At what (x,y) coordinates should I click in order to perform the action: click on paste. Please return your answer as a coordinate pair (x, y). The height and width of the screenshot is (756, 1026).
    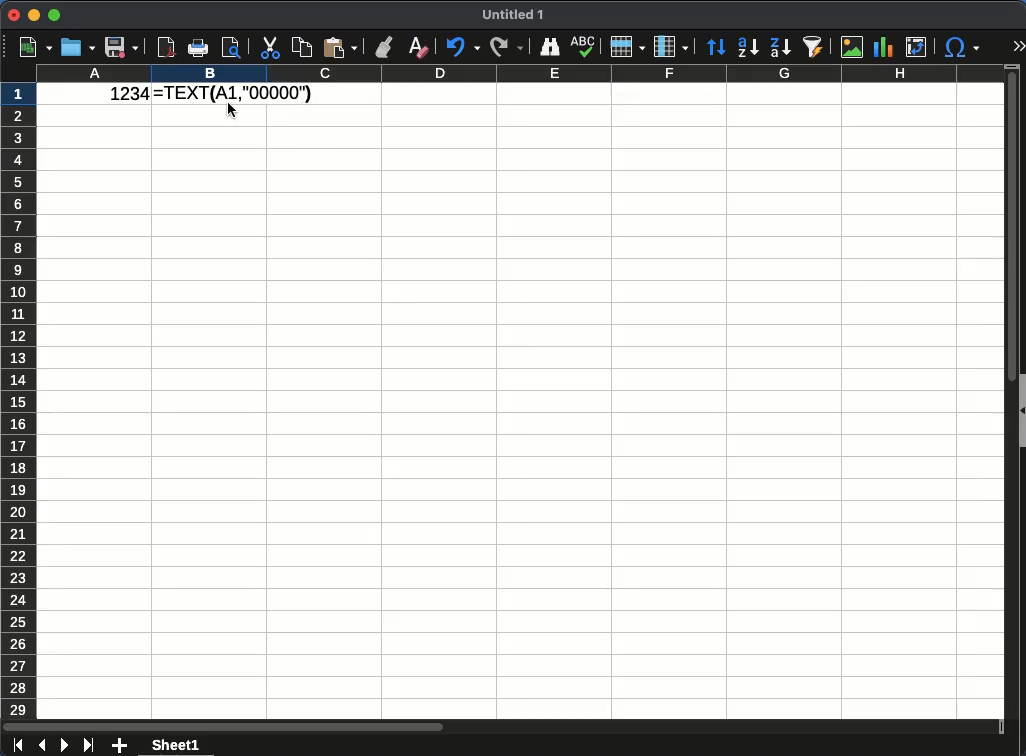
    Looking at the image, I should click on (340, 47).